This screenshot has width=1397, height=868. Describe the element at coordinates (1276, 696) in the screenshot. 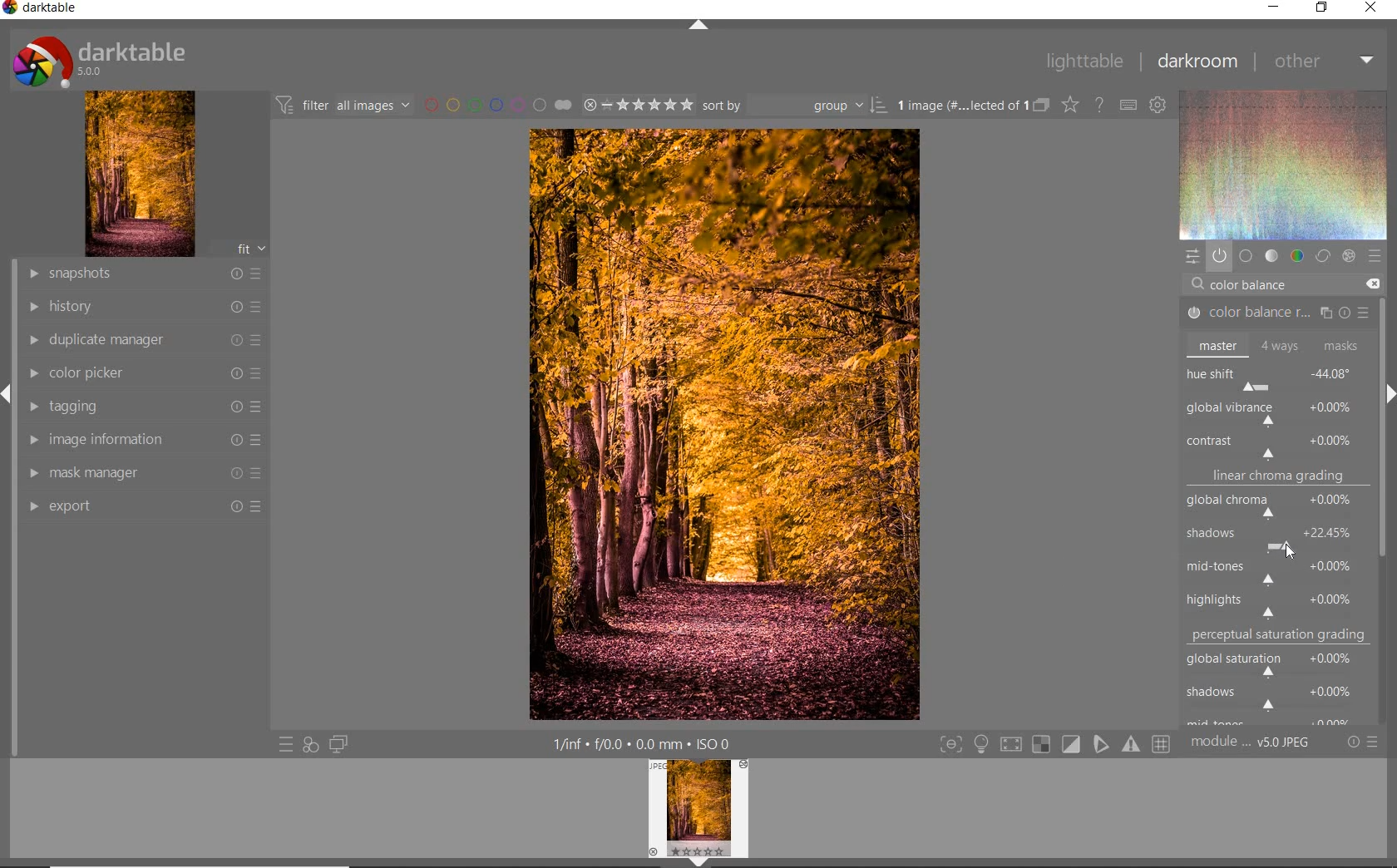

I see `shadows` at that location.